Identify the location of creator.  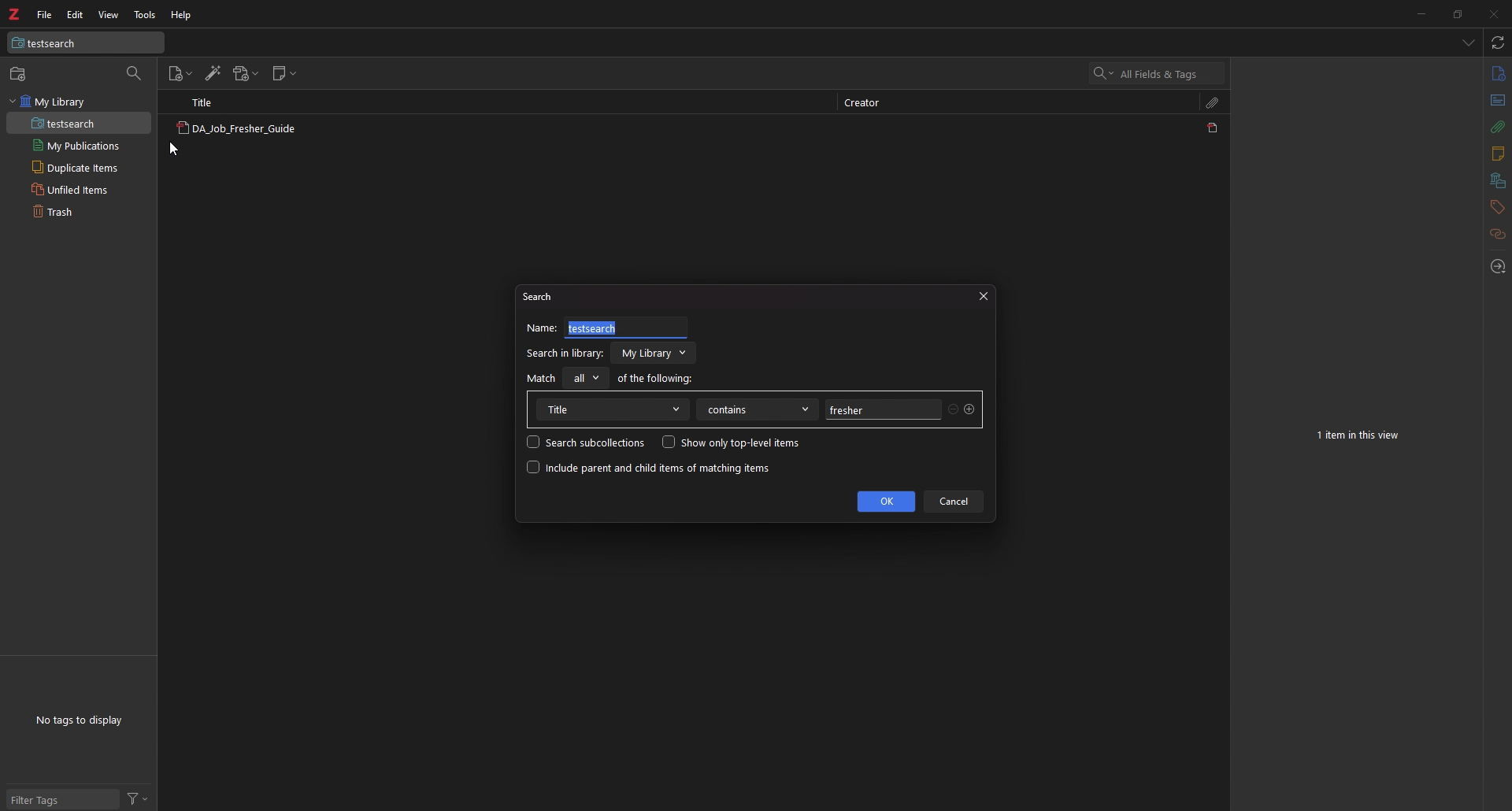
(868, 104).